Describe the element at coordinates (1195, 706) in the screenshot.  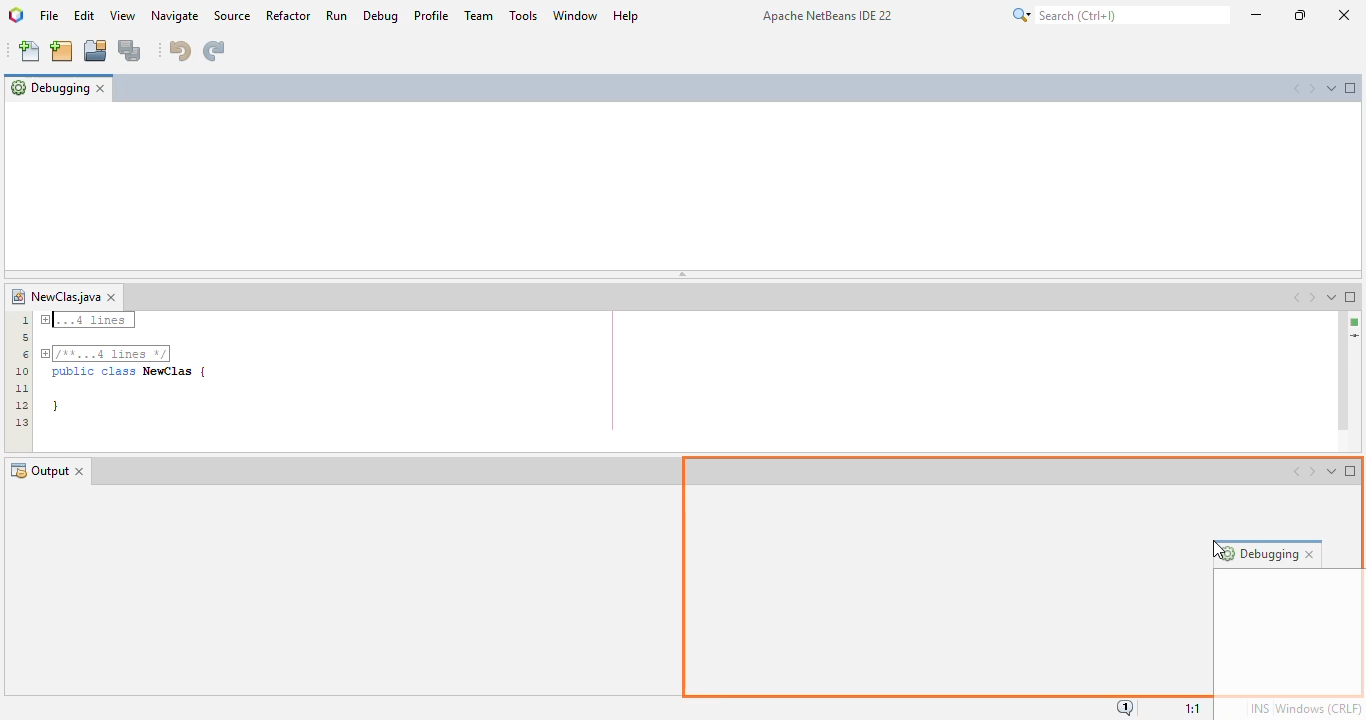
I see `1:1` at that location.